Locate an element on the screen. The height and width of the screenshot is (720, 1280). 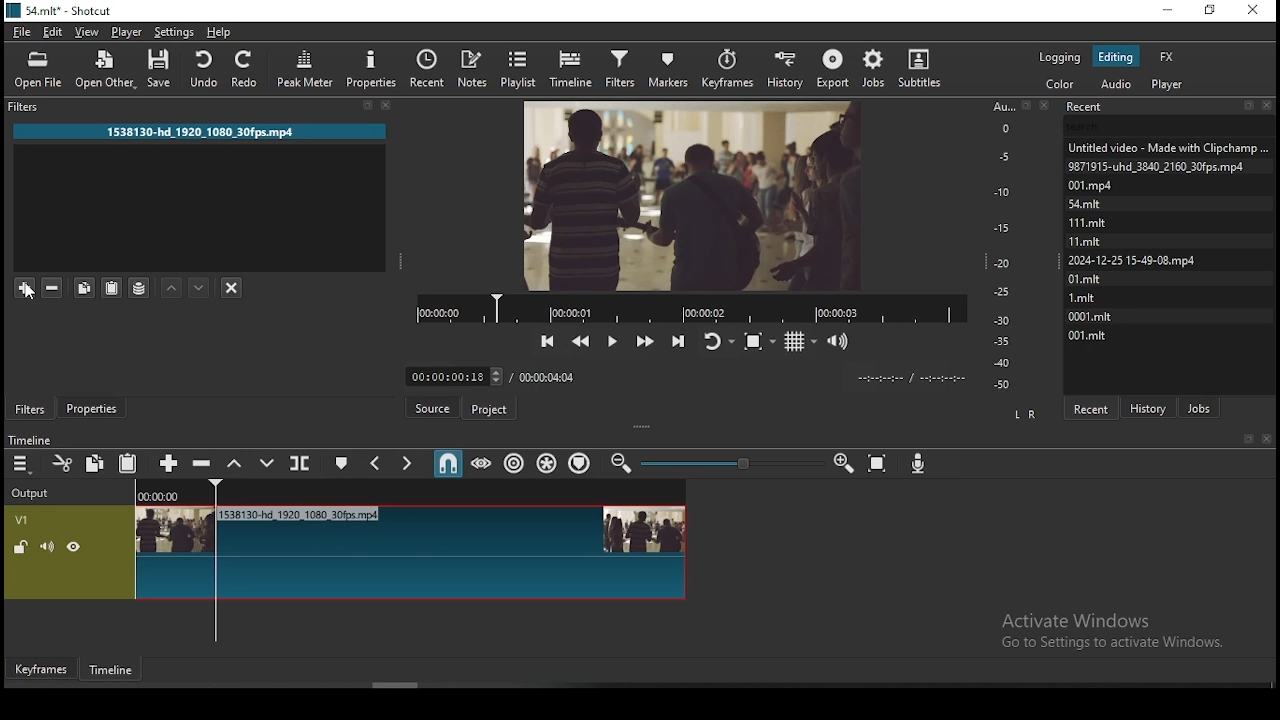
play/pause is located at coordinates (611, 343).